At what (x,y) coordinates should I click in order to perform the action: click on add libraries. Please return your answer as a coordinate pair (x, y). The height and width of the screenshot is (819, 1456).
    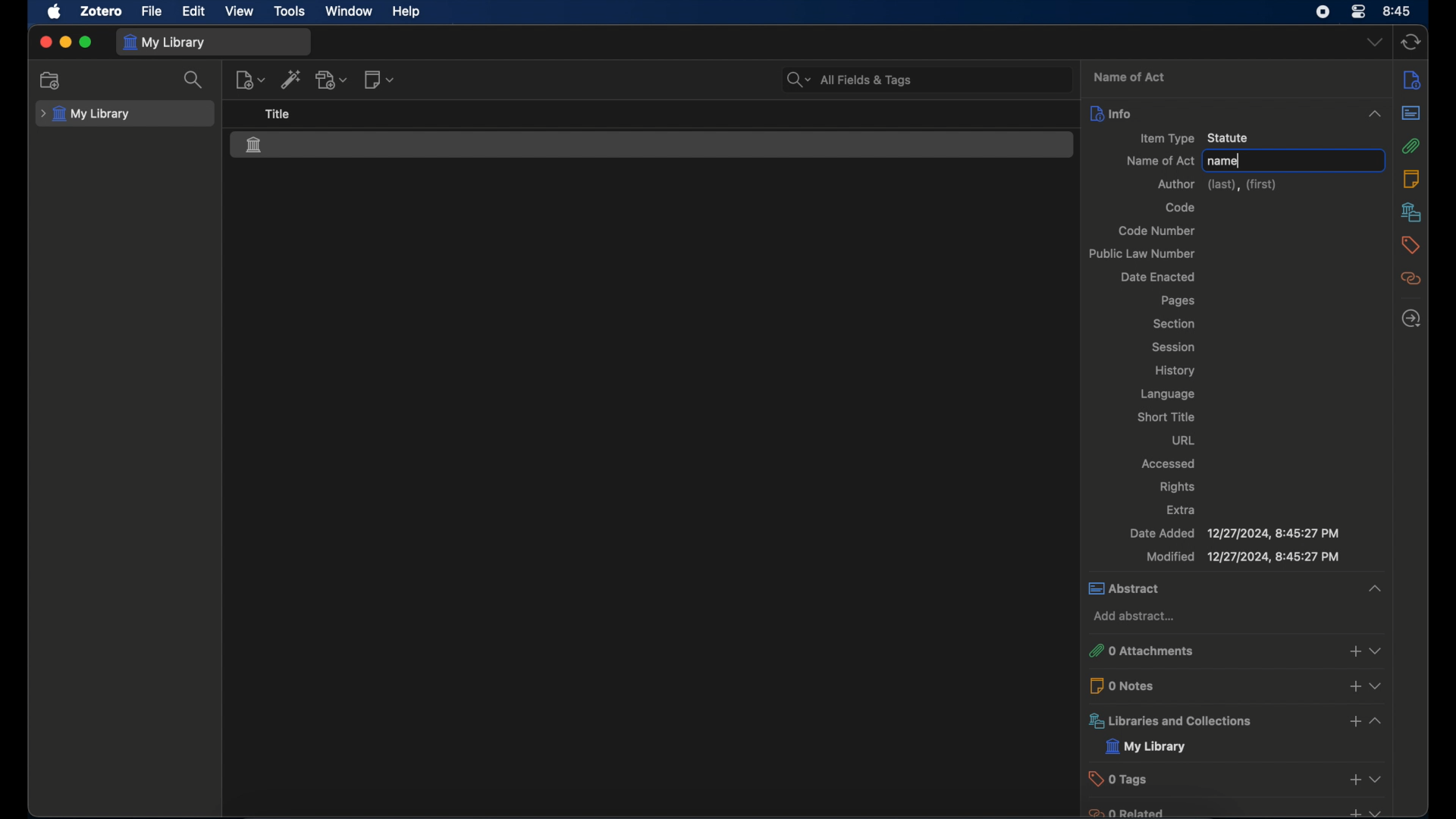
    Looking at the image, I should click on (1353, 722).